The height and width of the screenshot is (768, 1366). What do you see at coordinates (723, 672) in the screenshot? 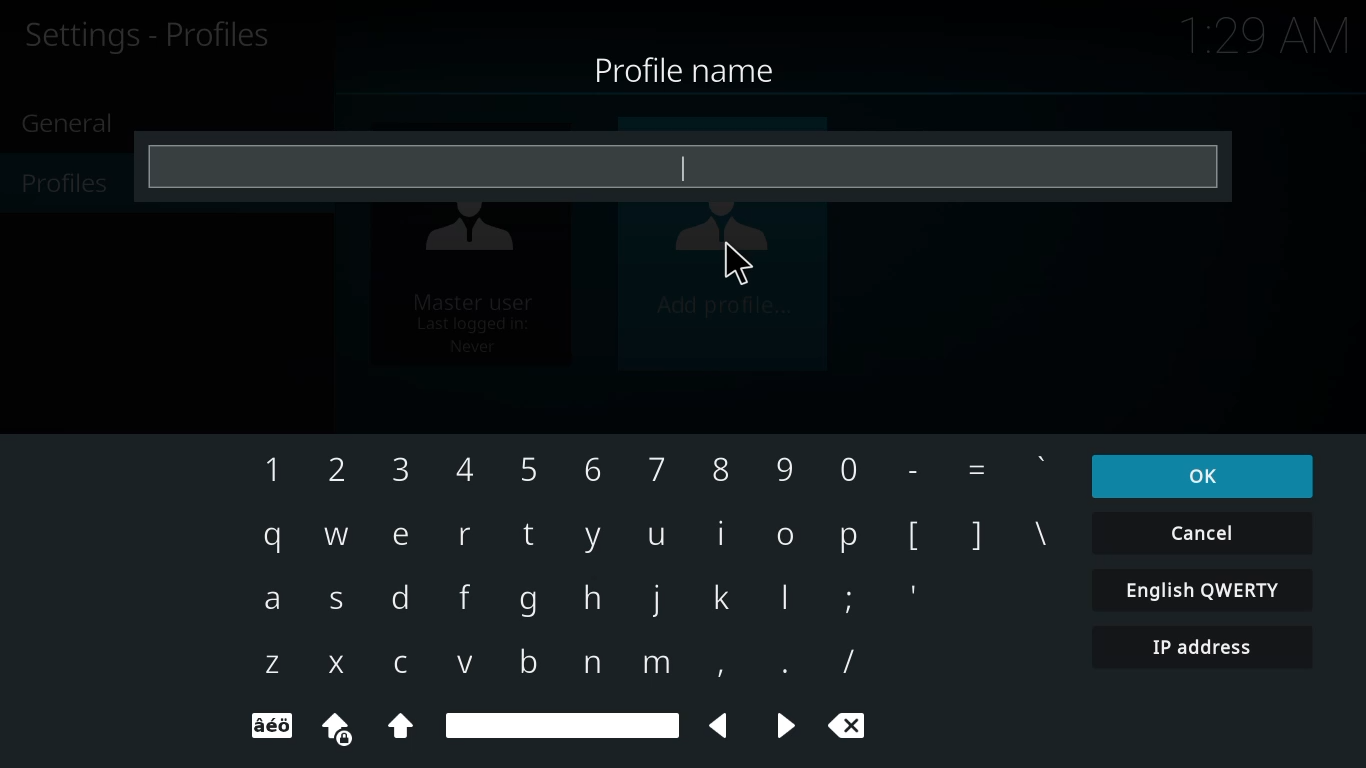
I see `,` at bounding box center [723, 672].